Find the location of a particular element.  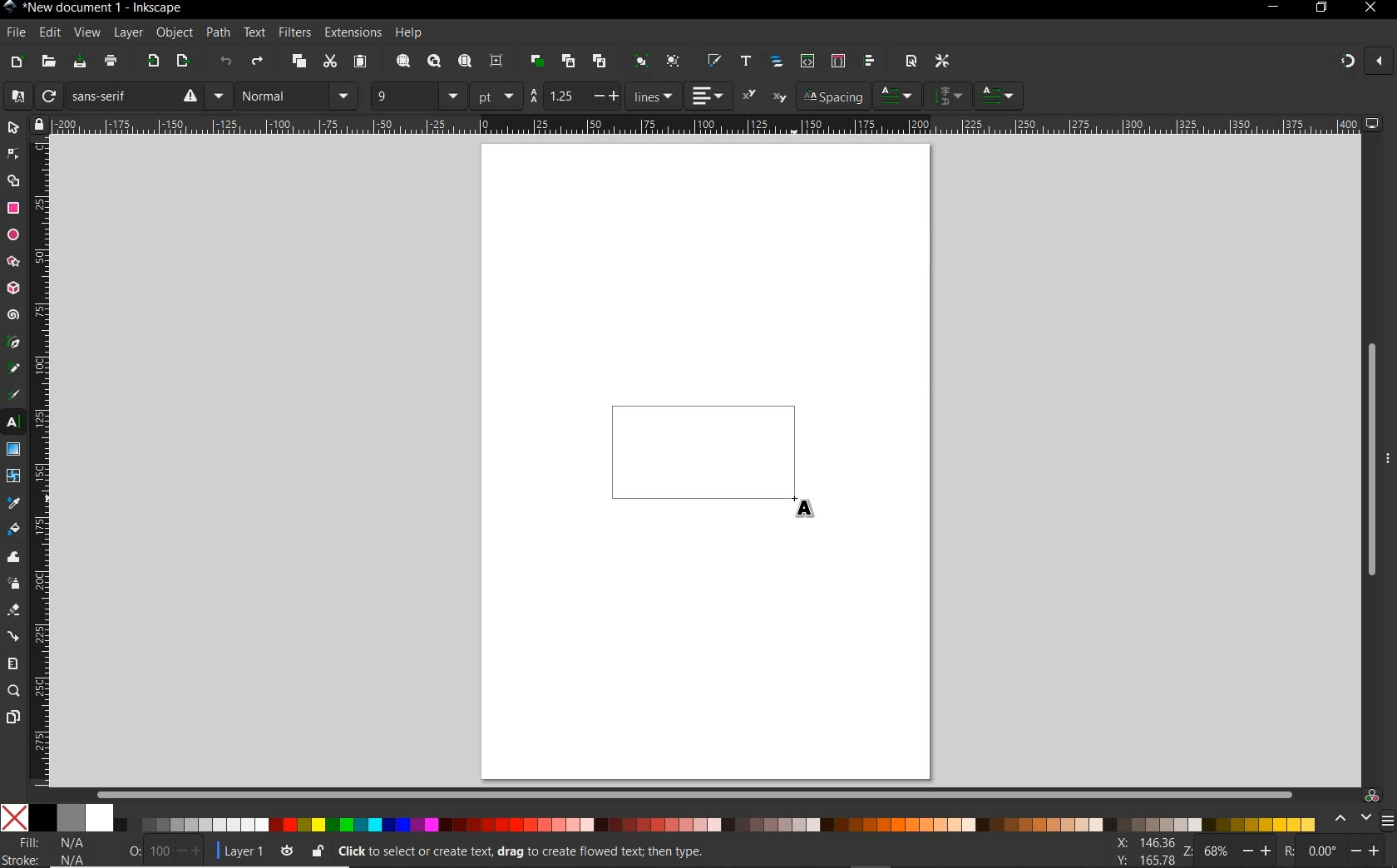

open document properties is located at coordinates (911, 60).